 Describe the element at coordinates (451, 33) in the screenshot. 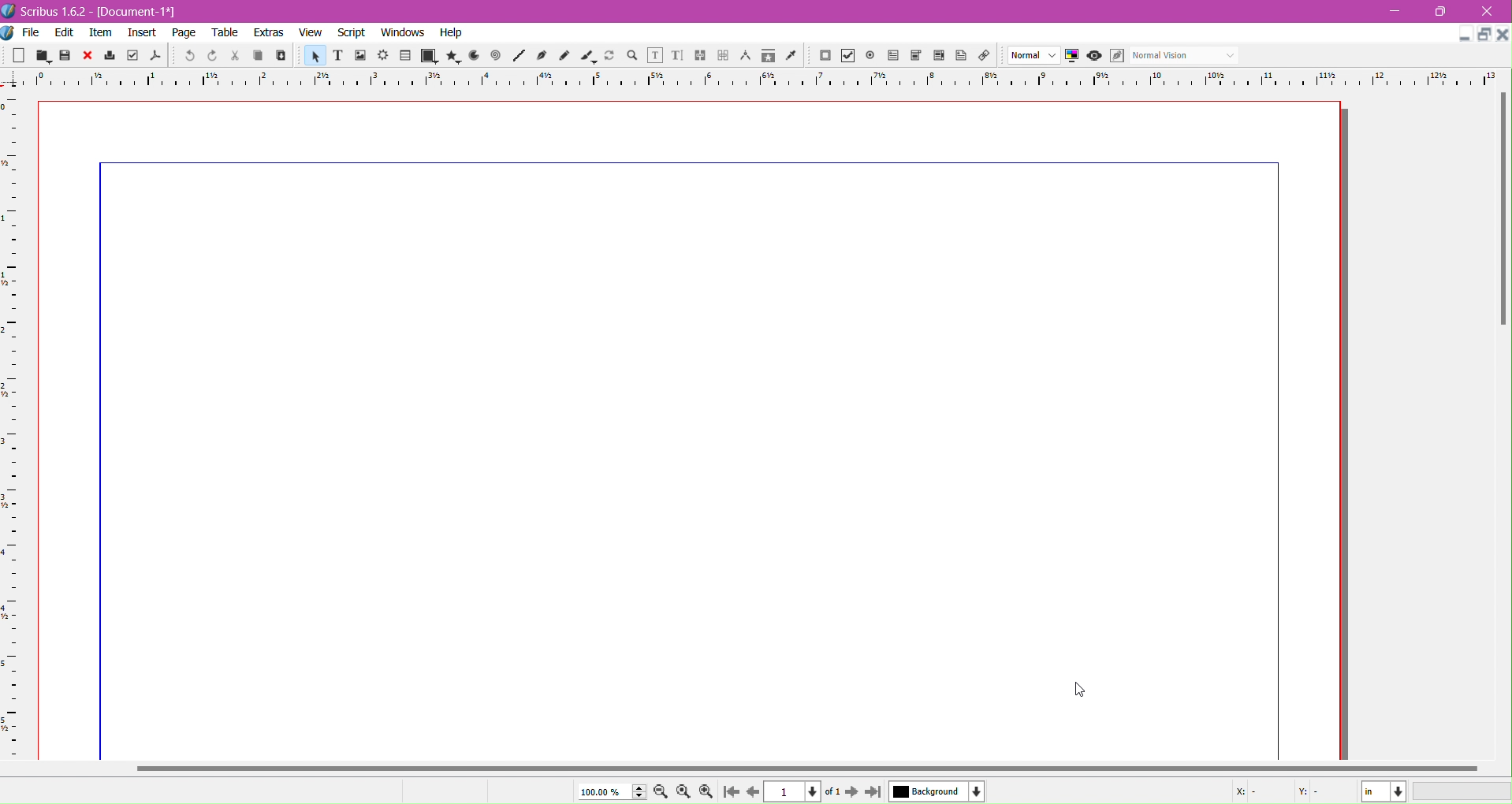

I see `help menu` at that location.